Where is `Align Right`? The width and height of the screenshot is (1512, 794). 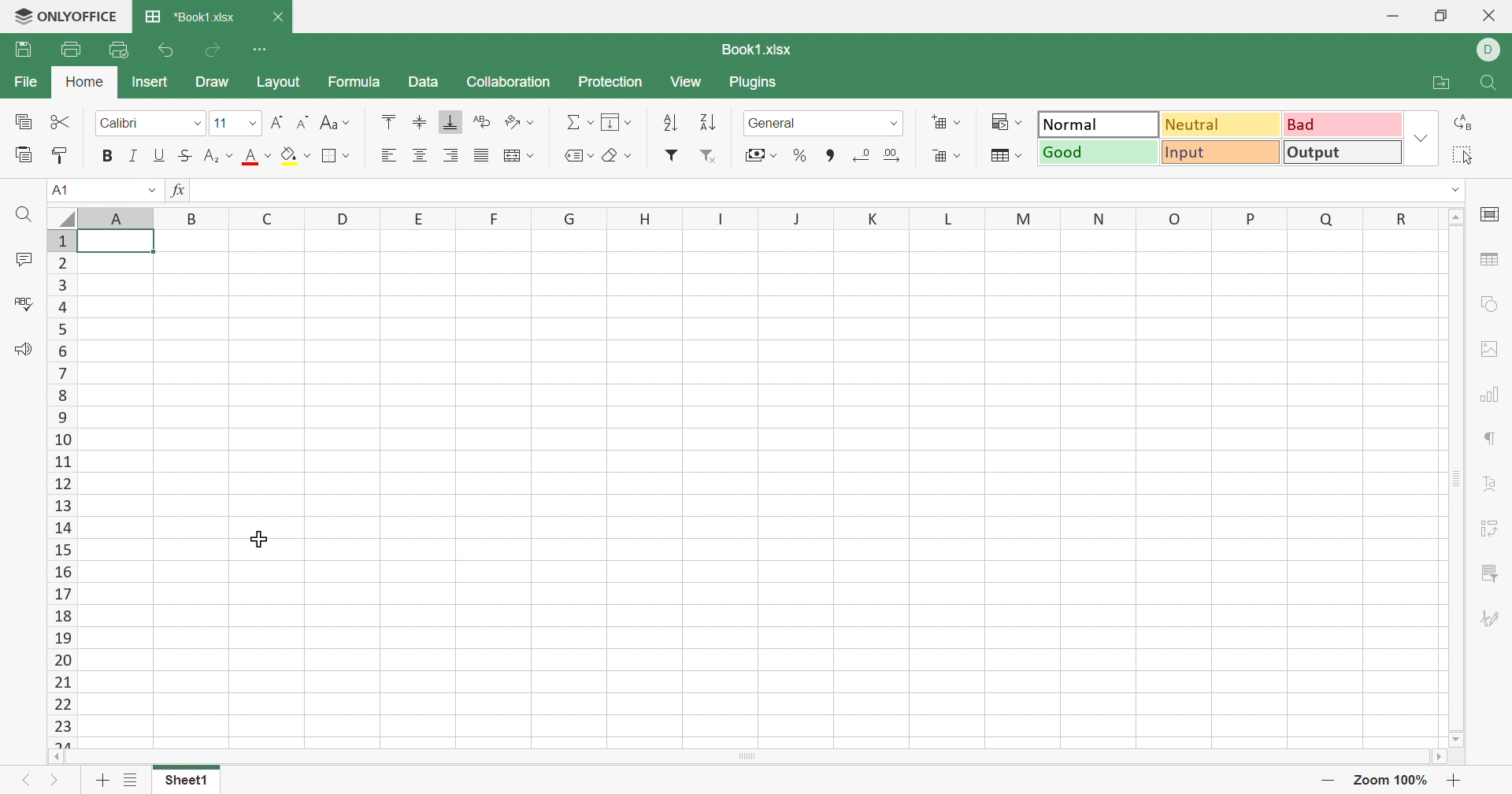
Align Right is located at coordinates (453, 154).